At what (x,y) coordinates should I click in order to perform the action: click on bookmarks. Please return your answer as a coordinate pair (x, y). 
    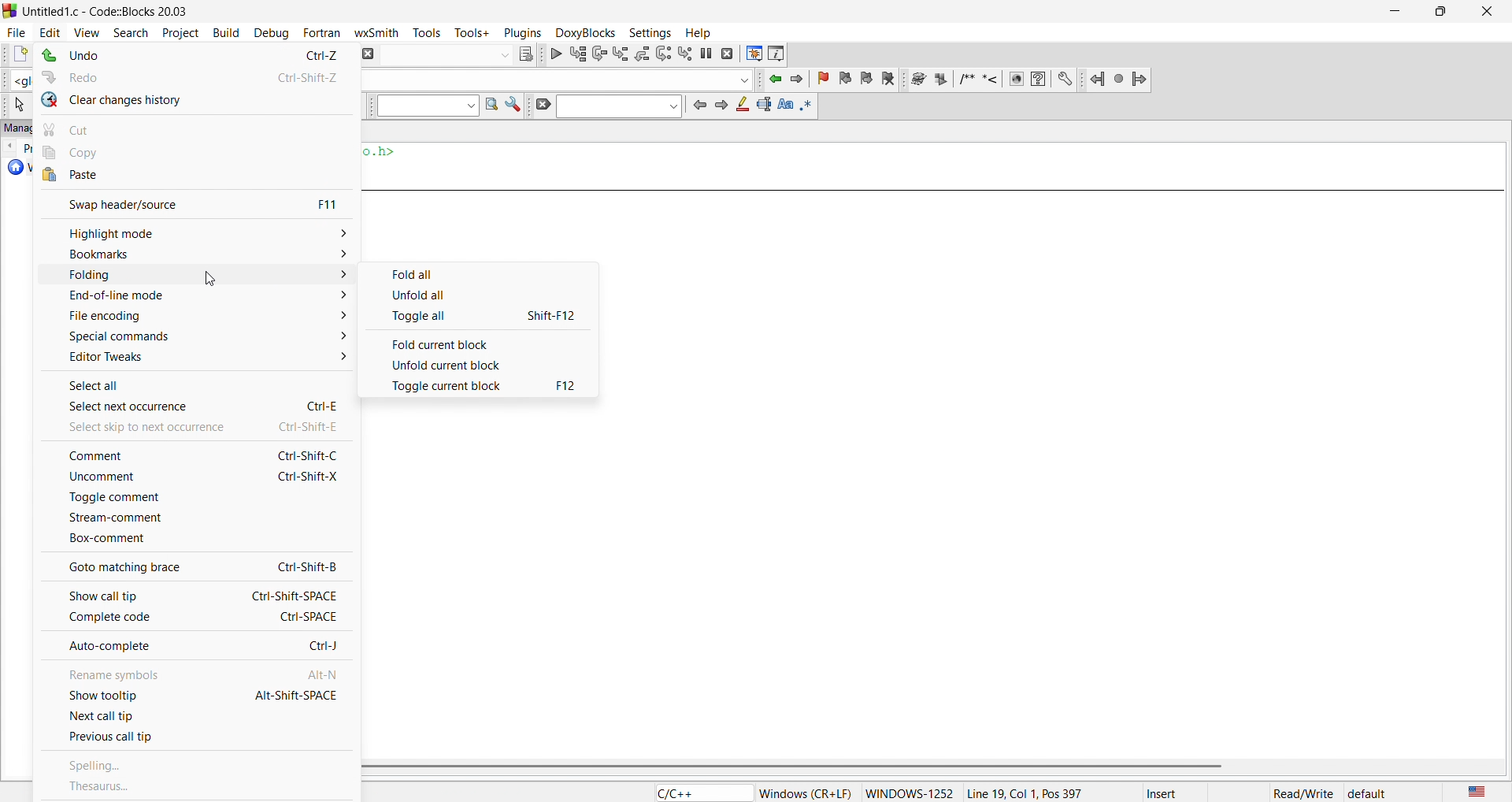
    Looking at the image, I should click on (192, 254).